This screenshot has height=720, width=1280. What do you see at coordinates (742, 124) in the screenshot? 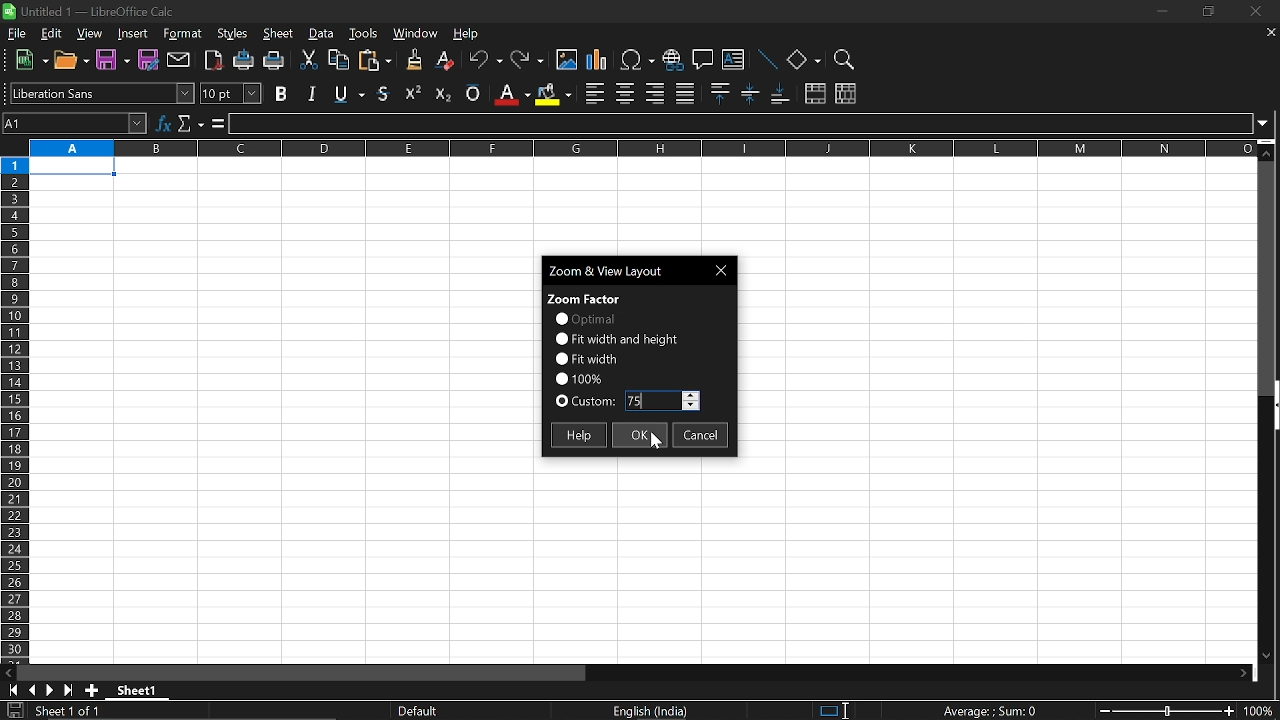
I see `input line` at bounding box center [742, 124].